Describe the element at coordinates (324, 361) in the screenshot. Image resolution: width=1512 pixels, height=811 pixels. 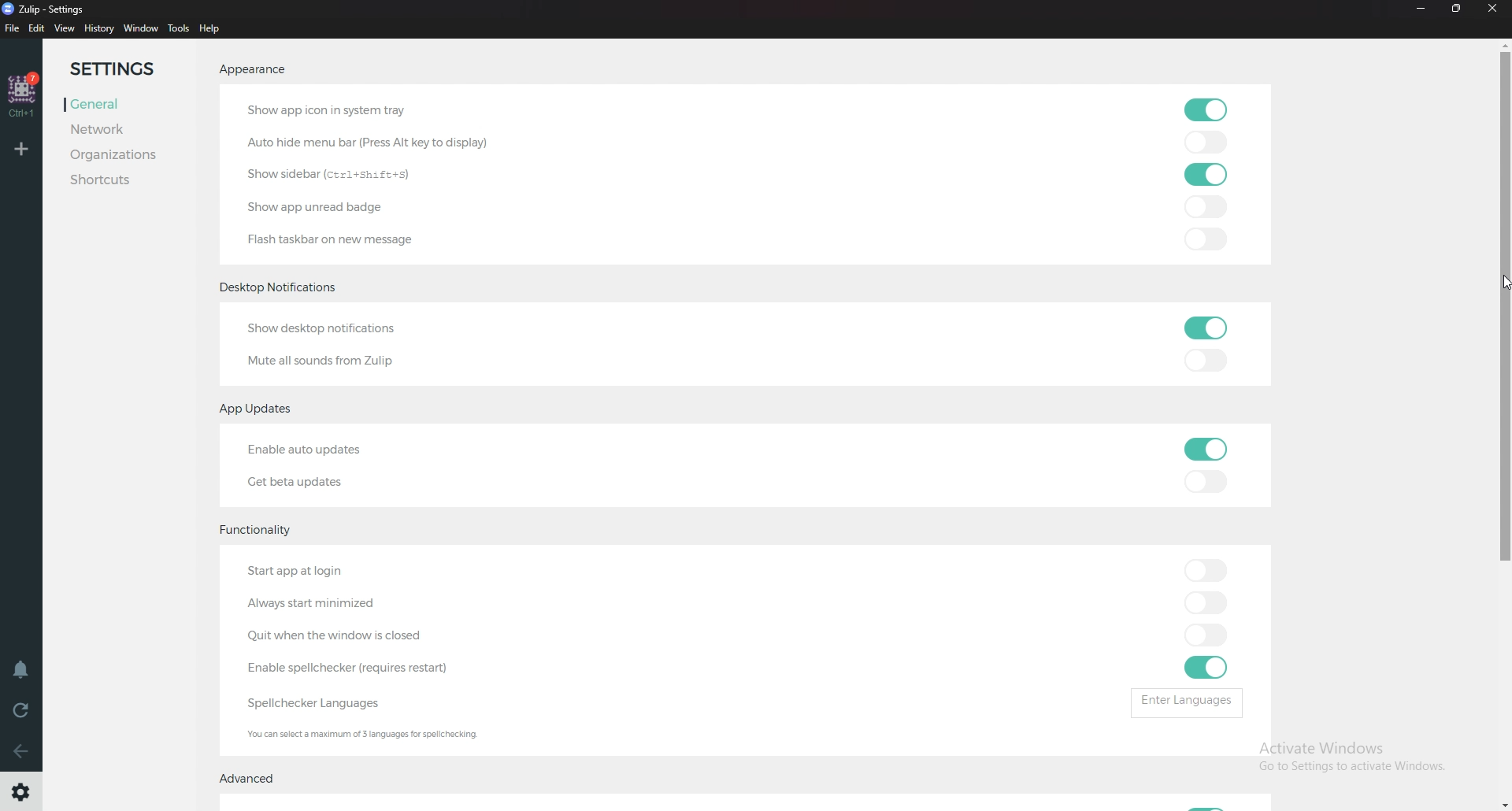
I see `Mute all sounds from Zulip` at that location.